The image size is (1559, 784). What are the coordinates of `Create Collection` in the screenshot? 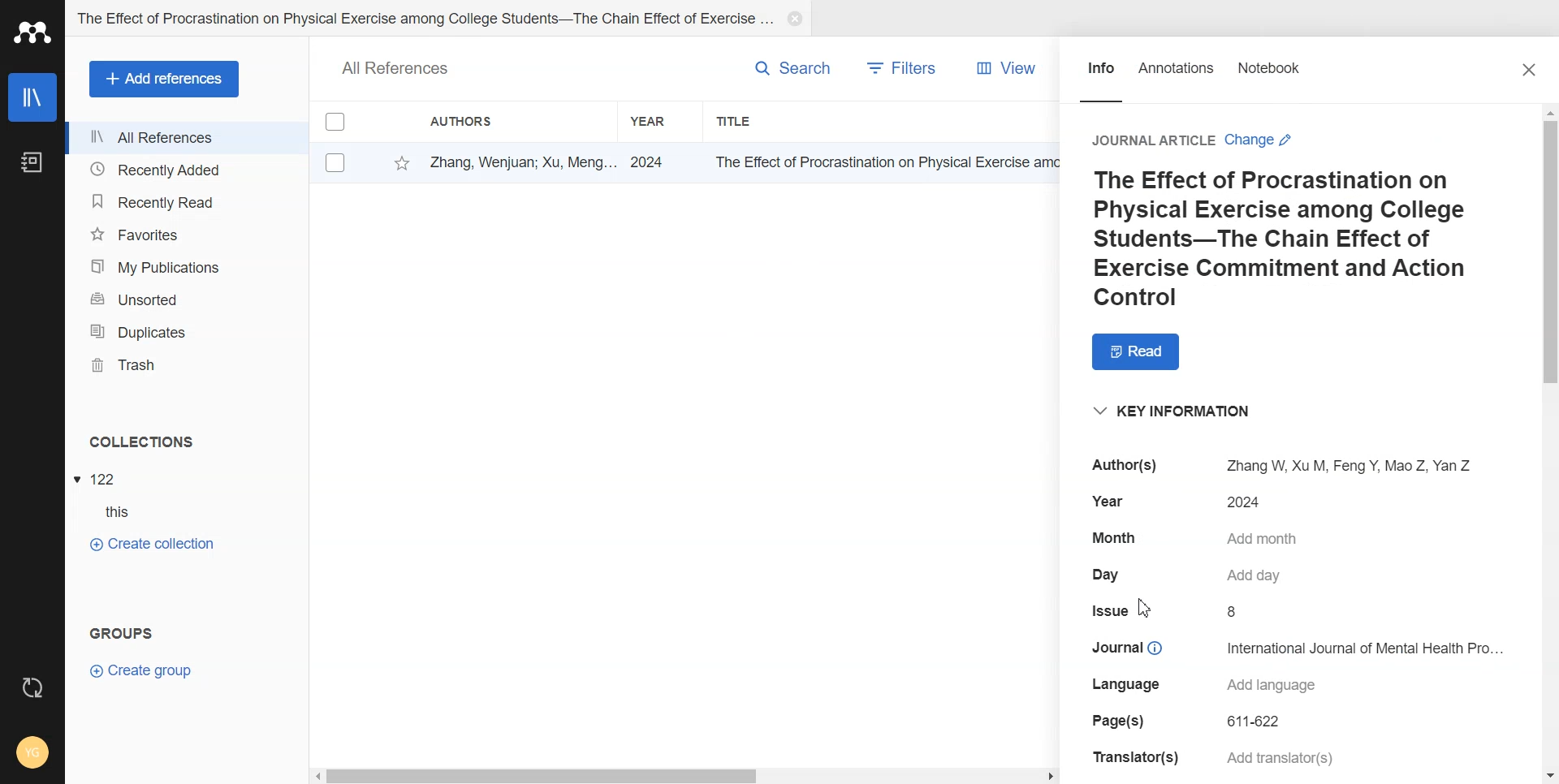 It's located at (152, 544).